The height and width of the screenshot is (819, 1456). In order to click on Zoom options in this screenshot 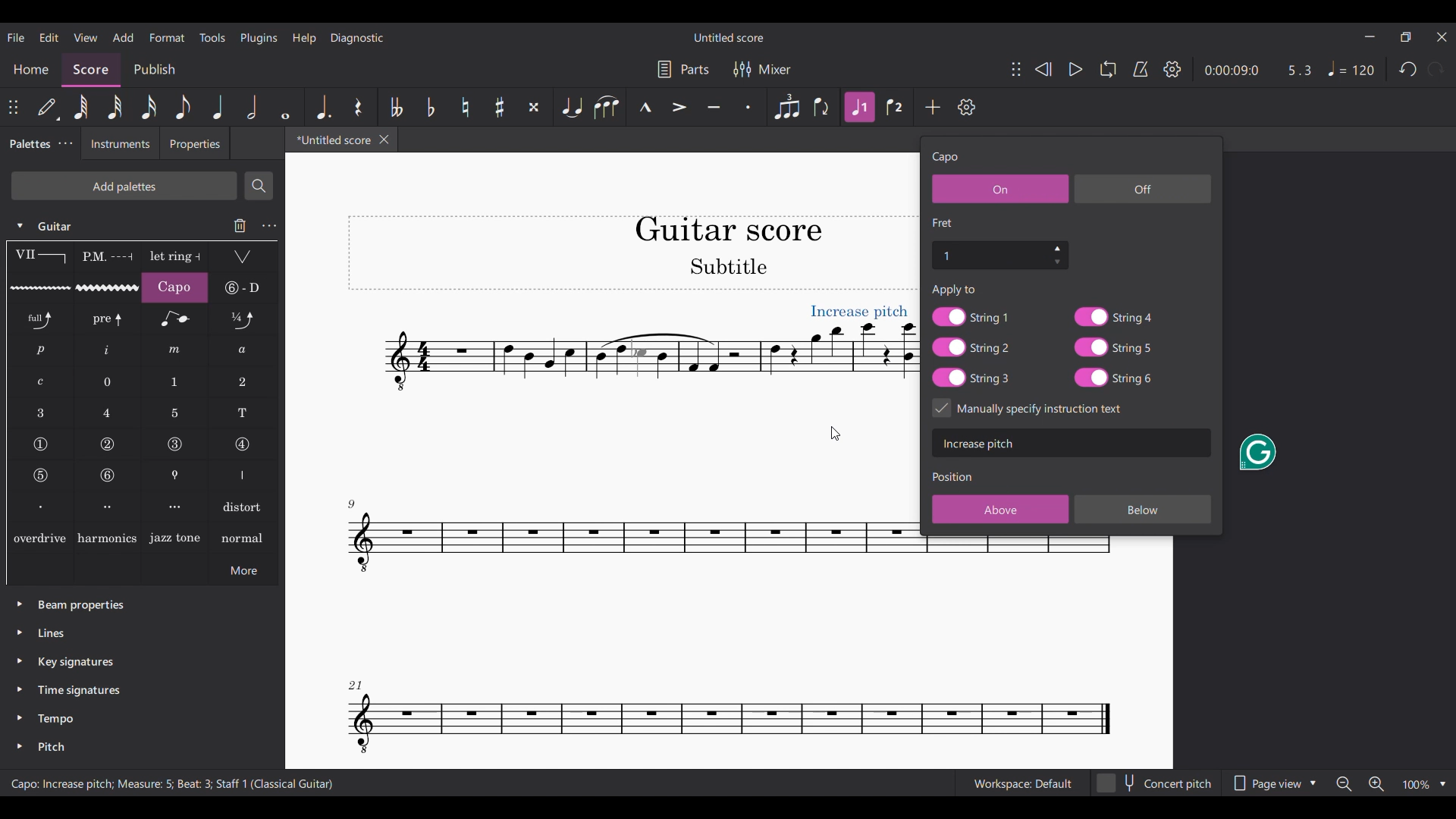, I will do `click(1424, 785)`.